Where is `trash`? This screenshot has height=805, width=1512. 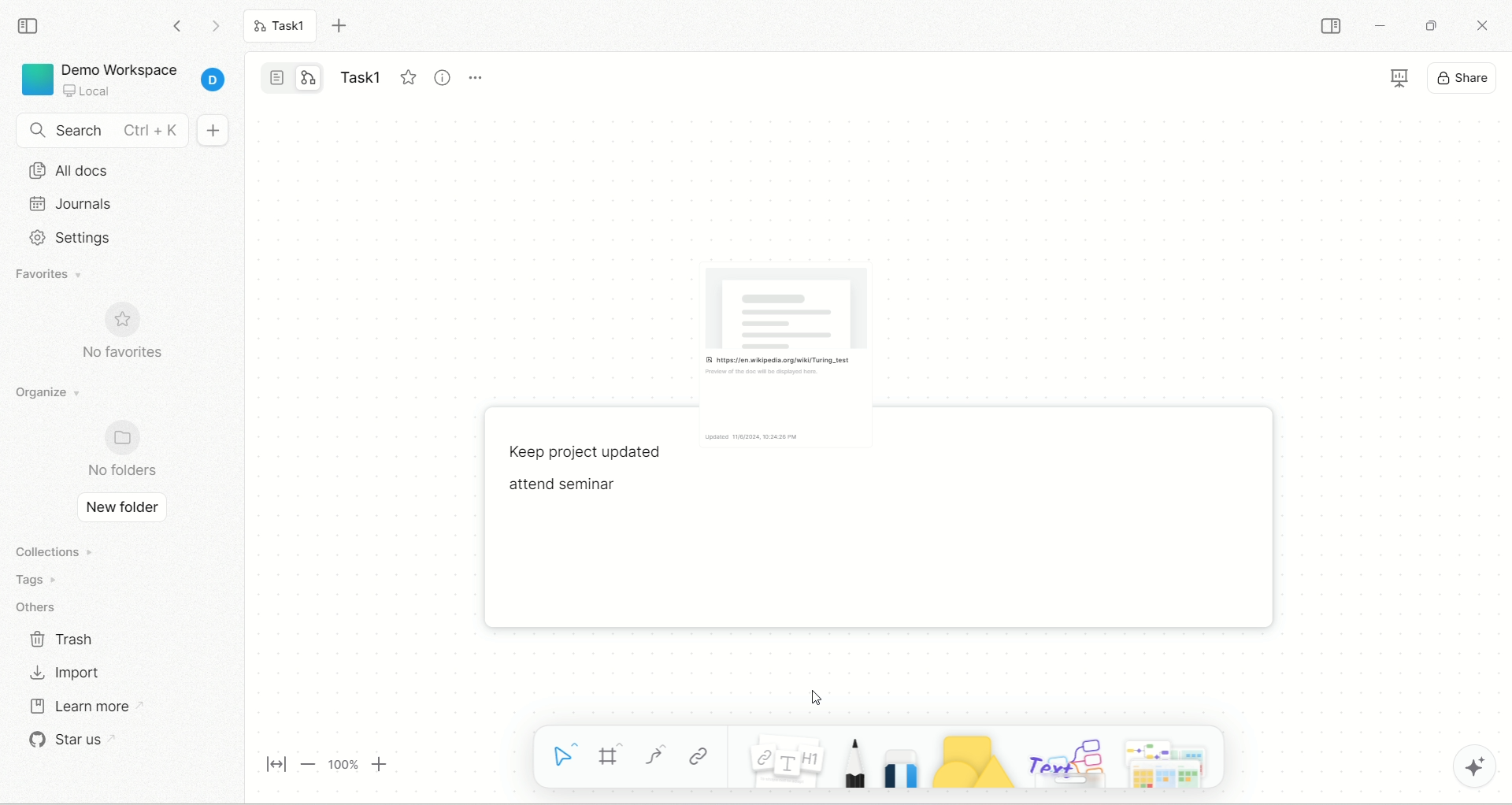 trash is located at coordinates (64, 637).